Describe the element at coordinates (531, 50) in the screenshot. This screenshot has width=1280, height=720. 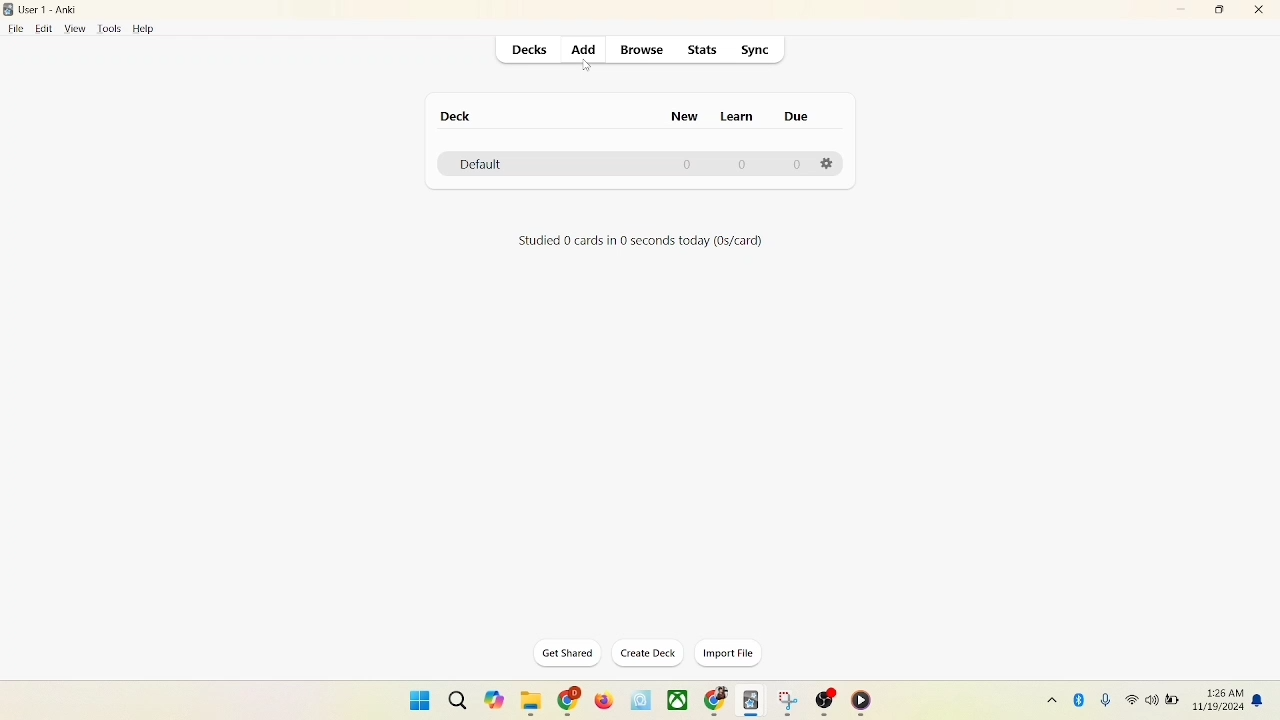
I see `decks` at that location.